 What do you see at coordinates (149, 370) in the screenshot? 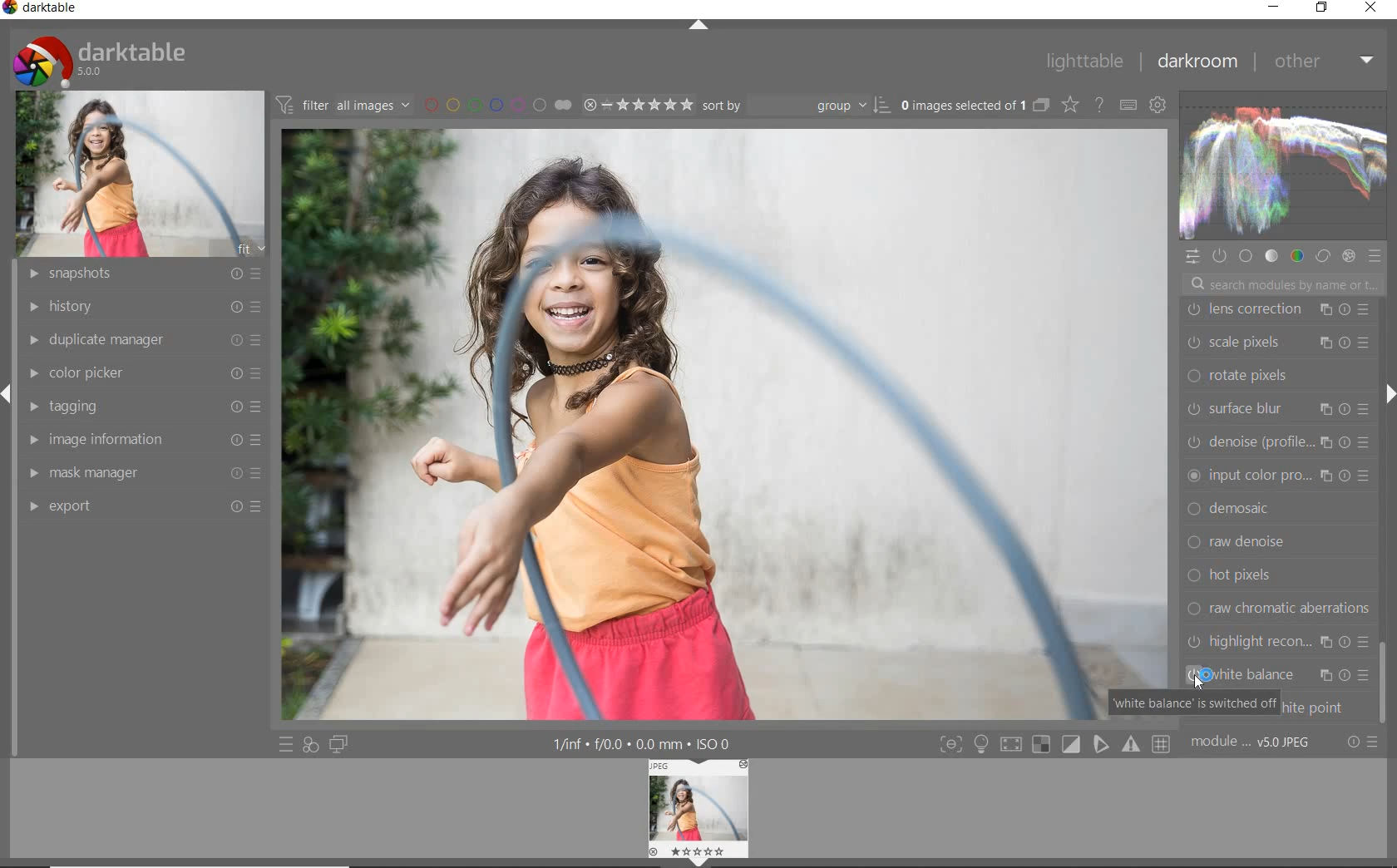
I see `color picker` at bounding box center [149, 370].